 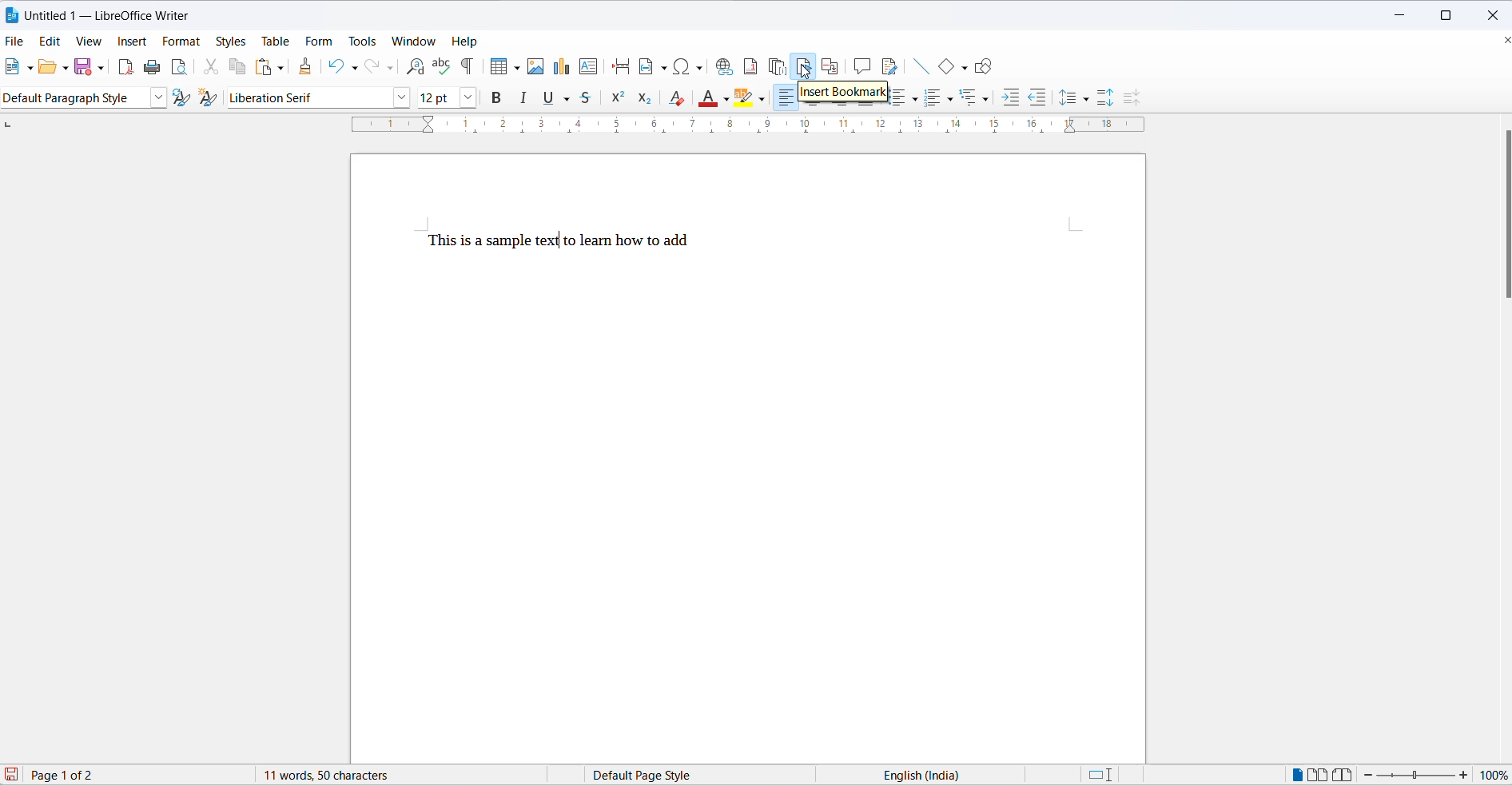 I want to click on minimze, so click(x=1403, y=12).